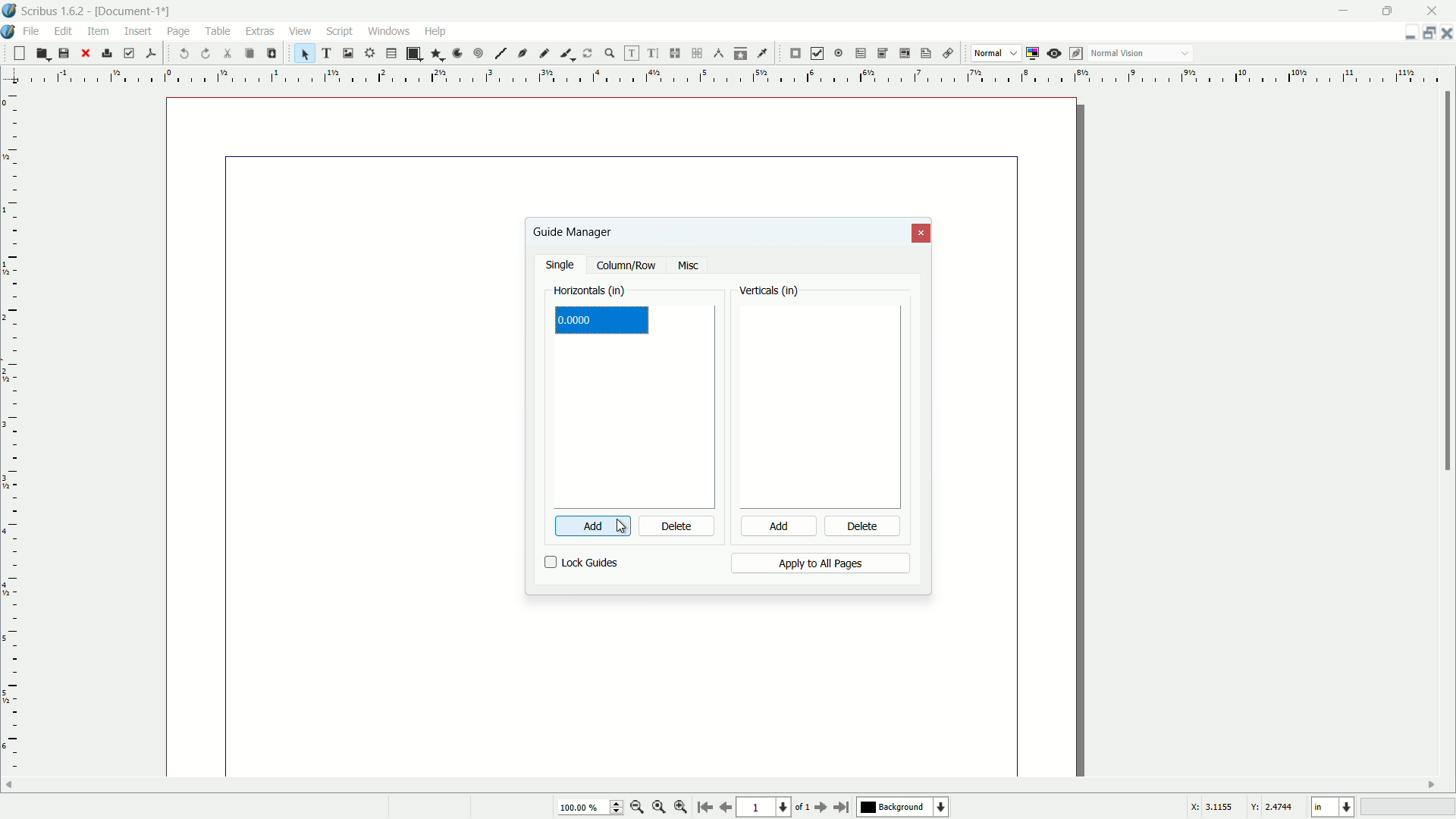 The image size is (1456, 819). I want to click on copy, so click(249, 54).